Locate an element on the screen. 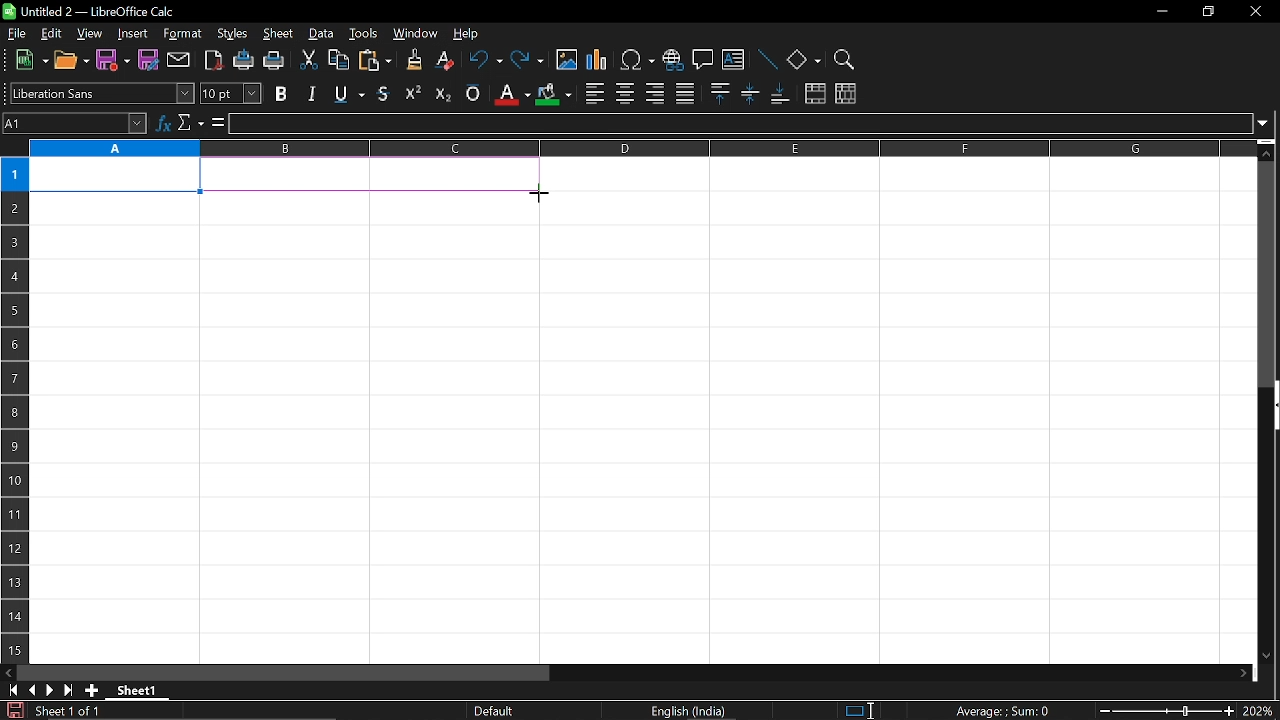 The width and height of the screenshot is (1280, 720). Sheet 1 is located at coordinates (137, 690).